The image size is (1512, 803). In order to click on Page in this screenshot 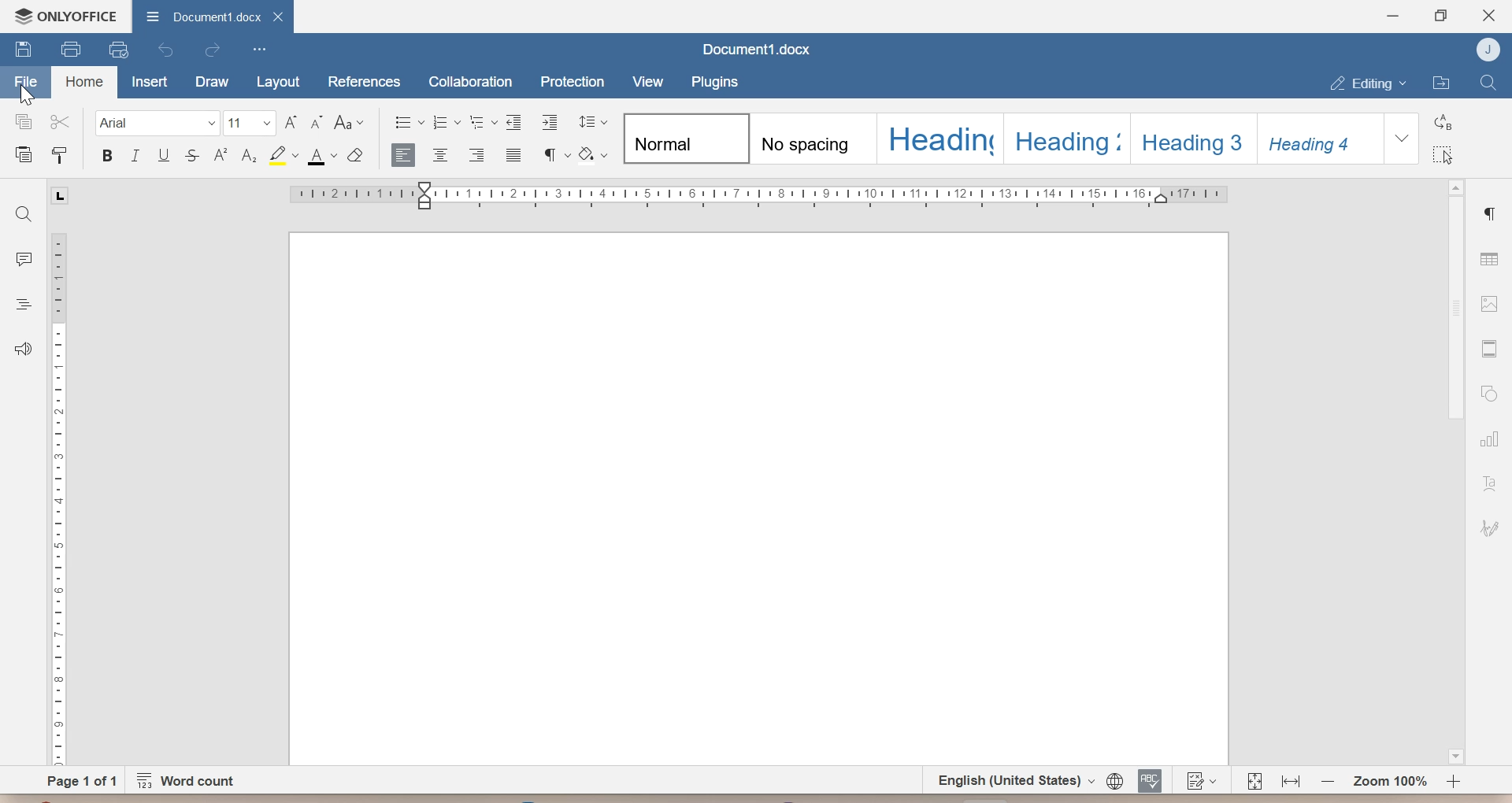, I will do `click(754, 499)`.